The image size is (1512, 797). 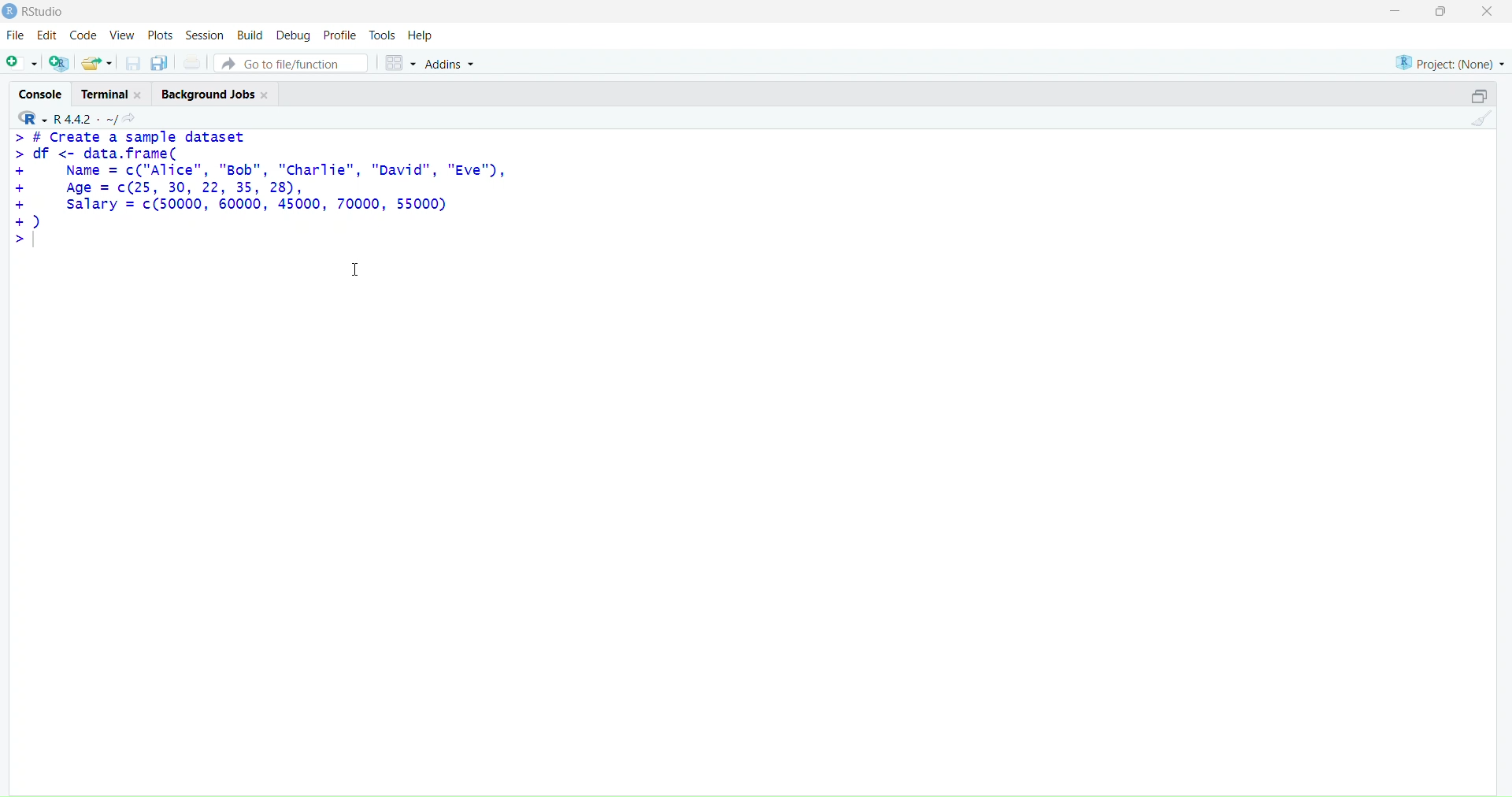 I want to click on > # create a sample dataset > df <- data.frame(+ Name = c("Alice", "Bob", "Charlie", "David", "Eve"),+ Age = c(25, 30, 22, 35, 28),+ salary = c(50000, 60000, 45000, 70000, 55000)+)>|, so click(x=272, y=193).